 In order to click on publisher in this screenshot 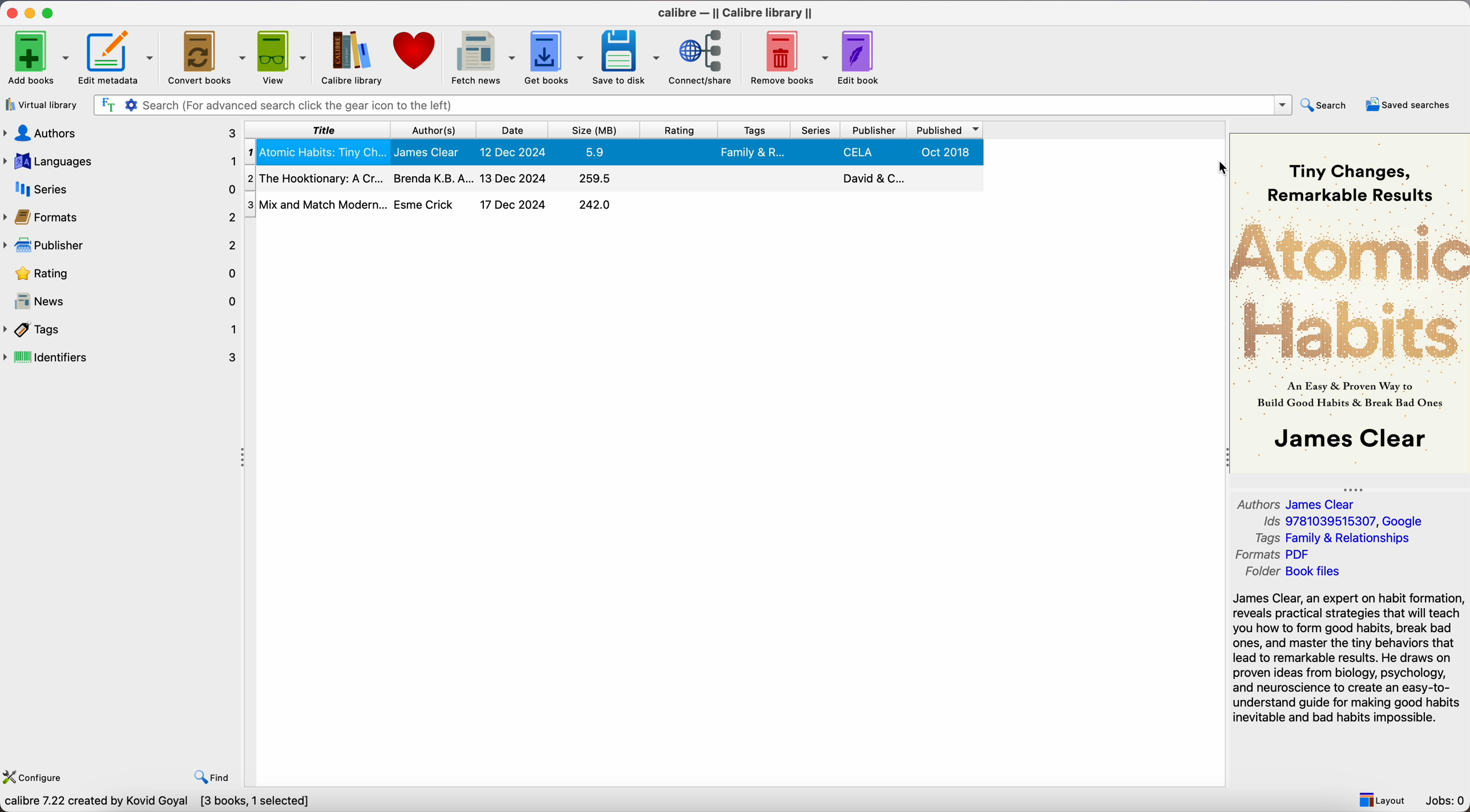, I will do `click(873, 130)`.